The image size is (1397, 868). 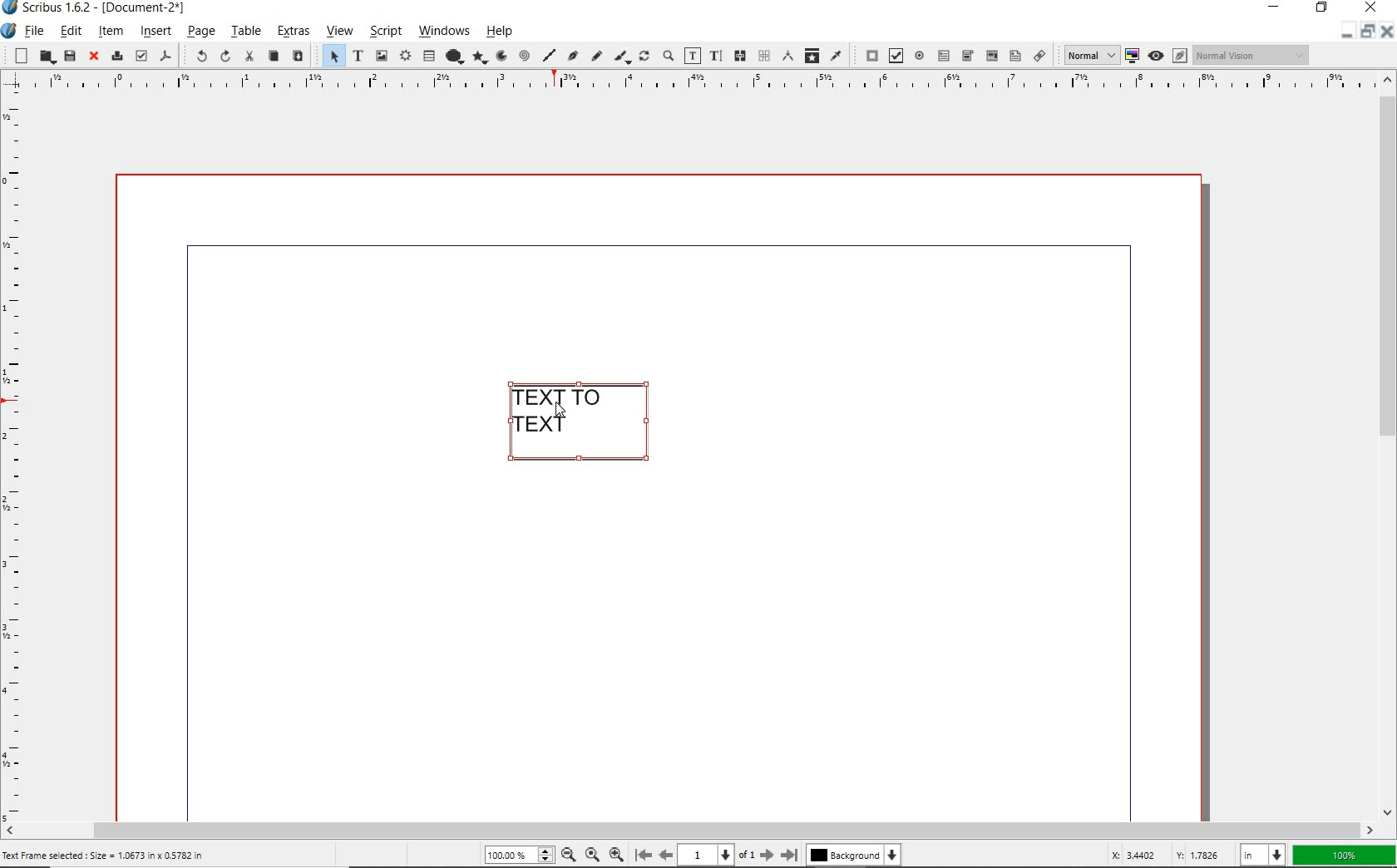 I want to click on edit text with story editor, so click(x=716, y=55).